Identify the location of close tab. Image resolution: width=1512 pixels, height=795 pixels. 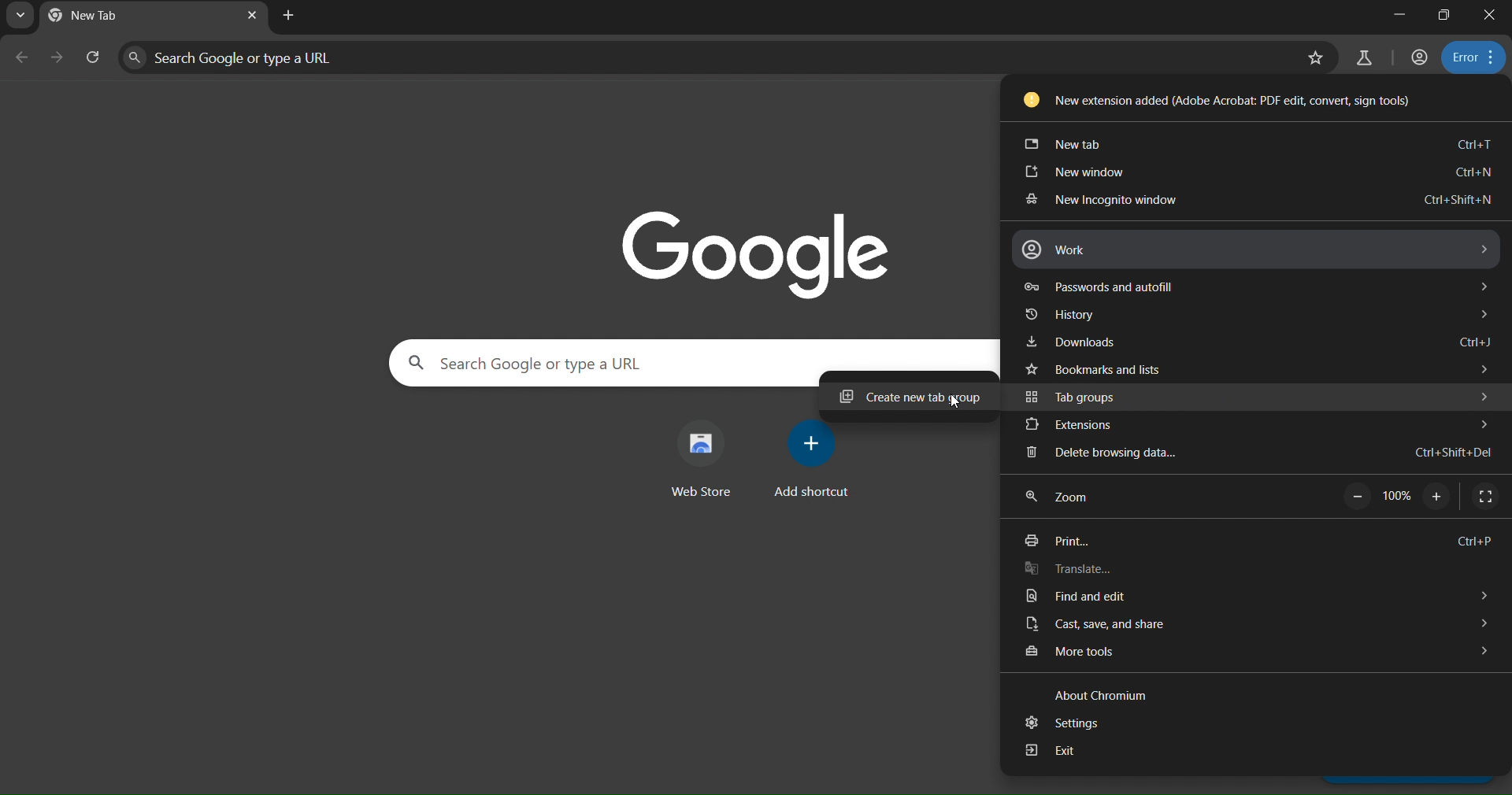
(250, 17).